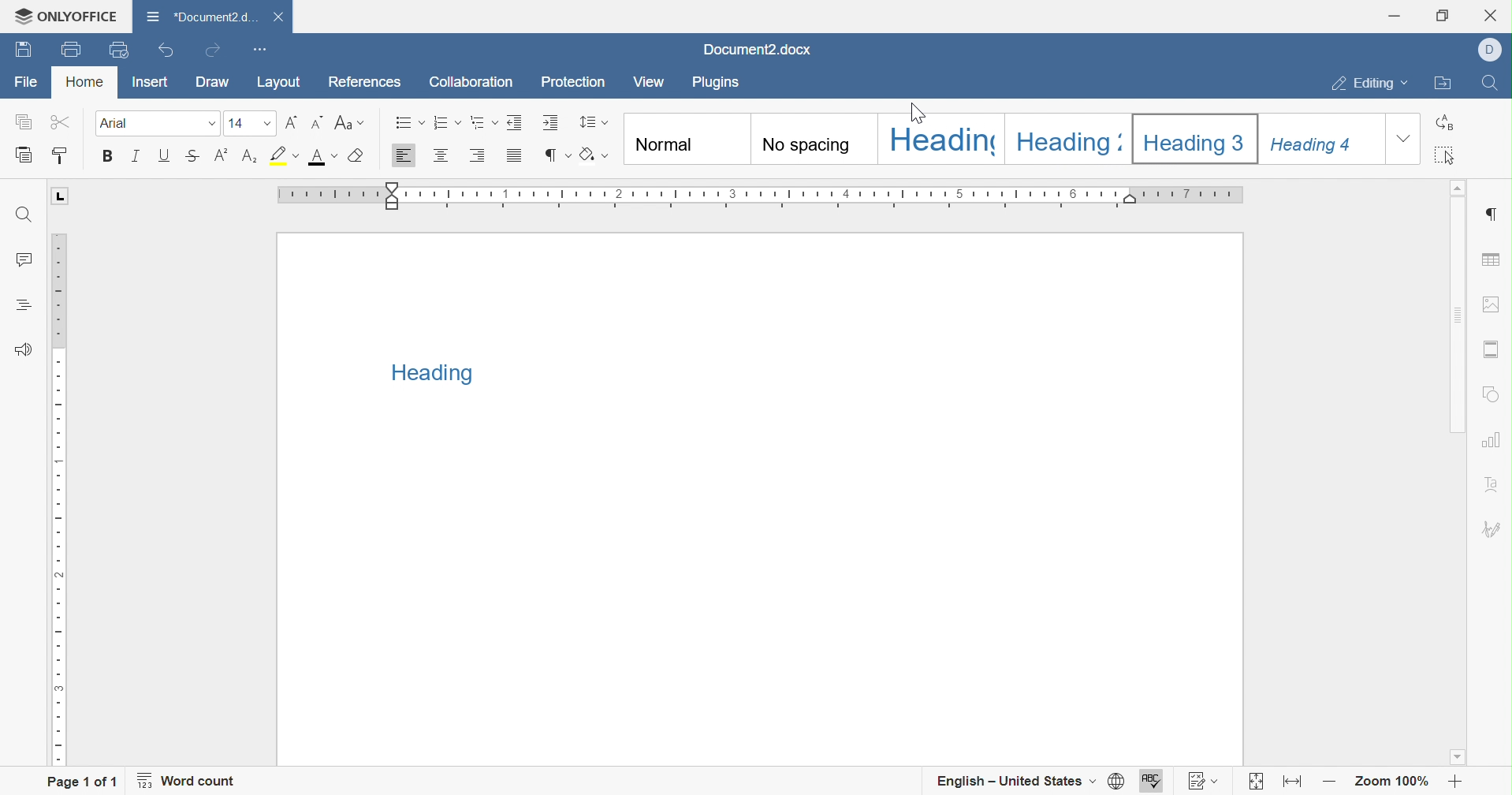  I want to click on Font color, so click(320, 157).